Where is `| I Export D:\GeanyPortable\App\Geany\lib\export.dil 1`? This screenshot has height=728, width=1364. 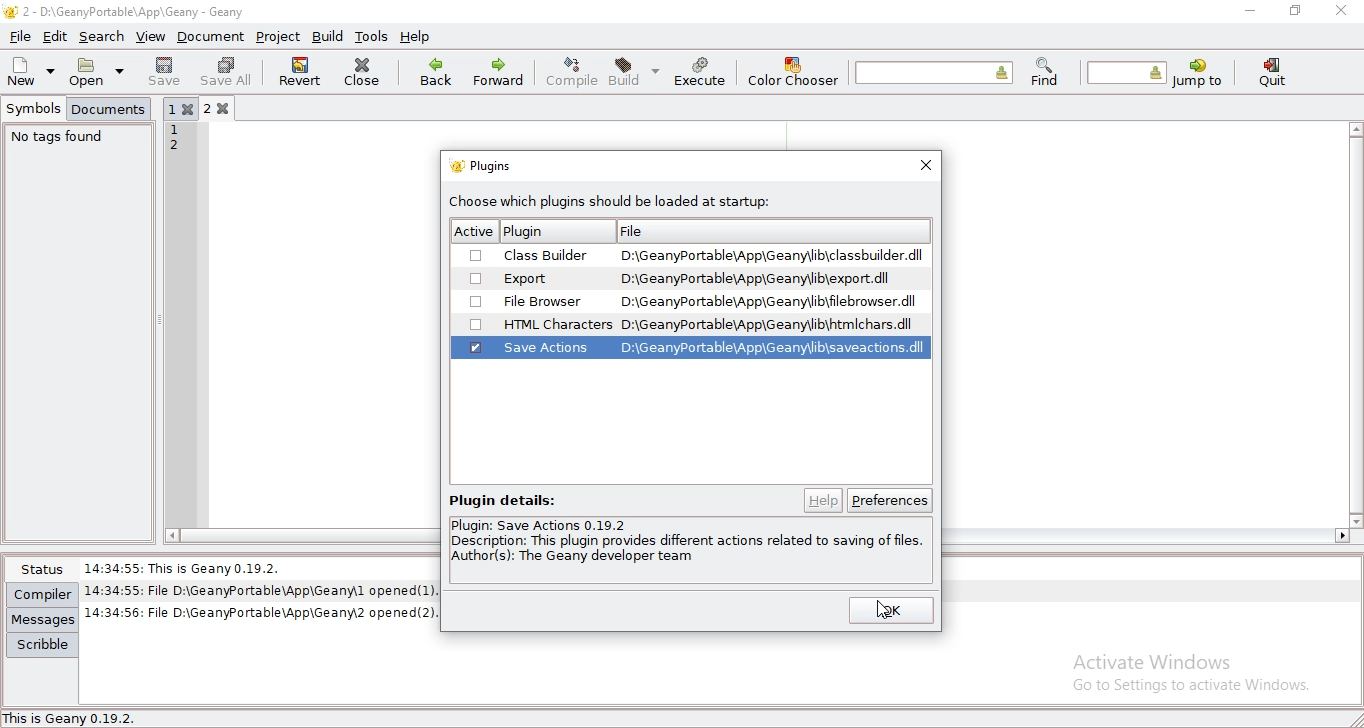
| I Export D:\GeanyPortable\App\Geany\lib\export.dil 1 is located at coordinates (690, 278).